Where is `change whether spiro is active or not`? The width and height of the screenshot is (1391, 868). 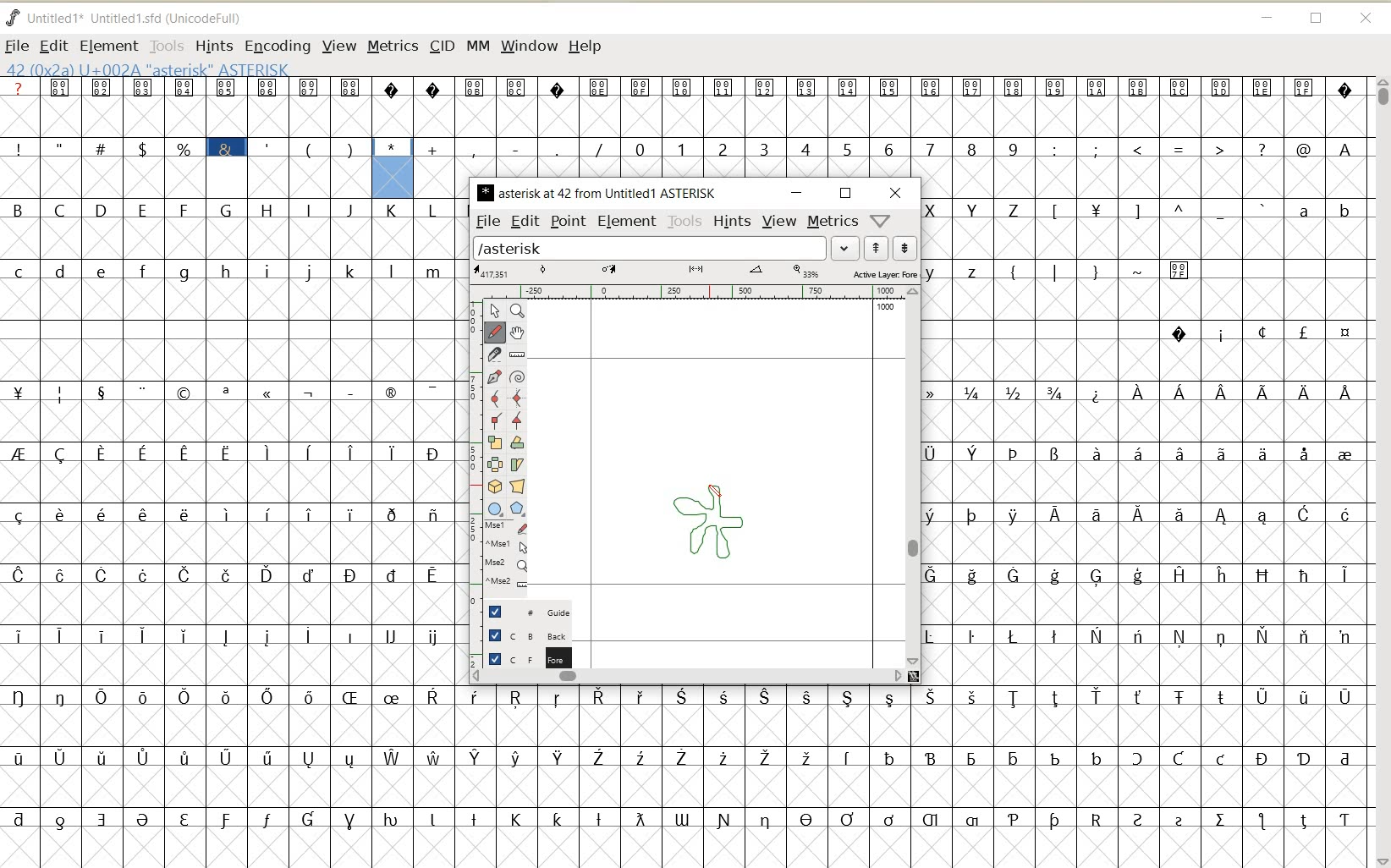
change whether spiro is active or not is located at coordinates (519, 376).